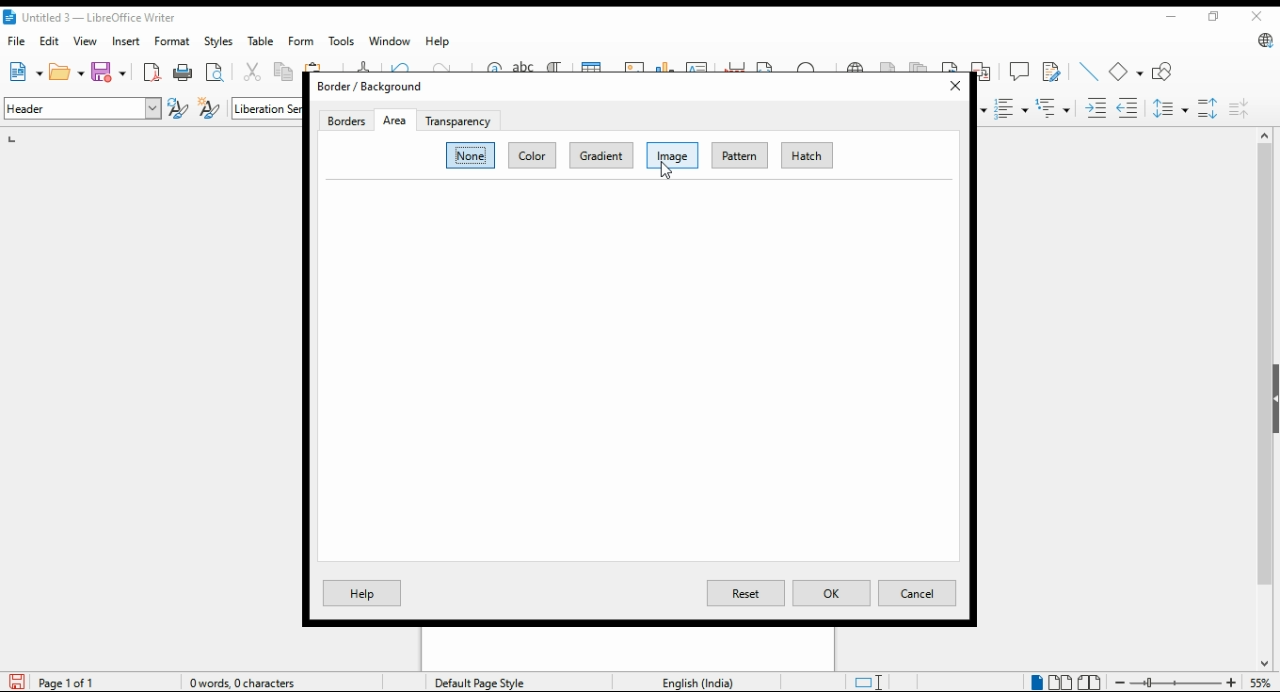 The height and width of the screenshot is (692, 1280). I want to click on format directly as pdf, so click(153, 72).